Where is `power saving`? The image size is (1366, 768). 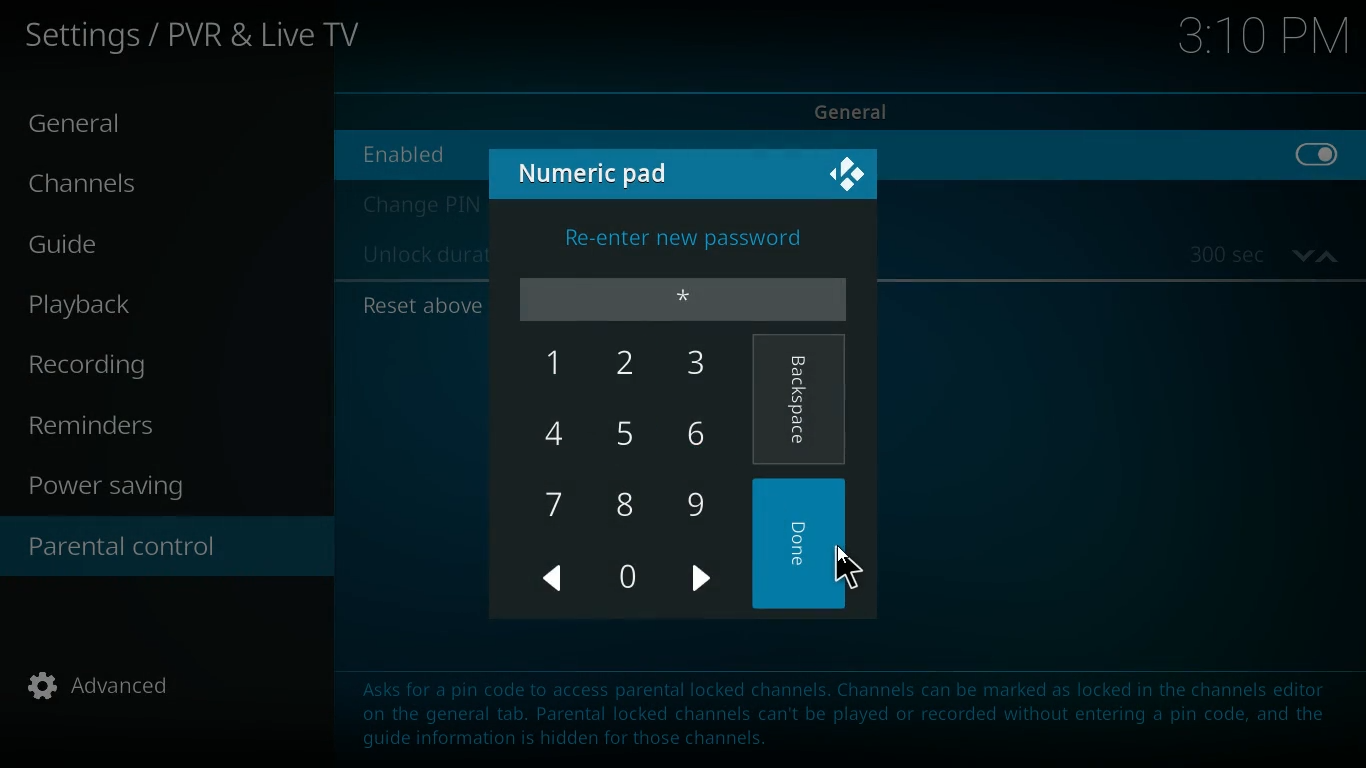
power saving is located at coordinates (119, 489).